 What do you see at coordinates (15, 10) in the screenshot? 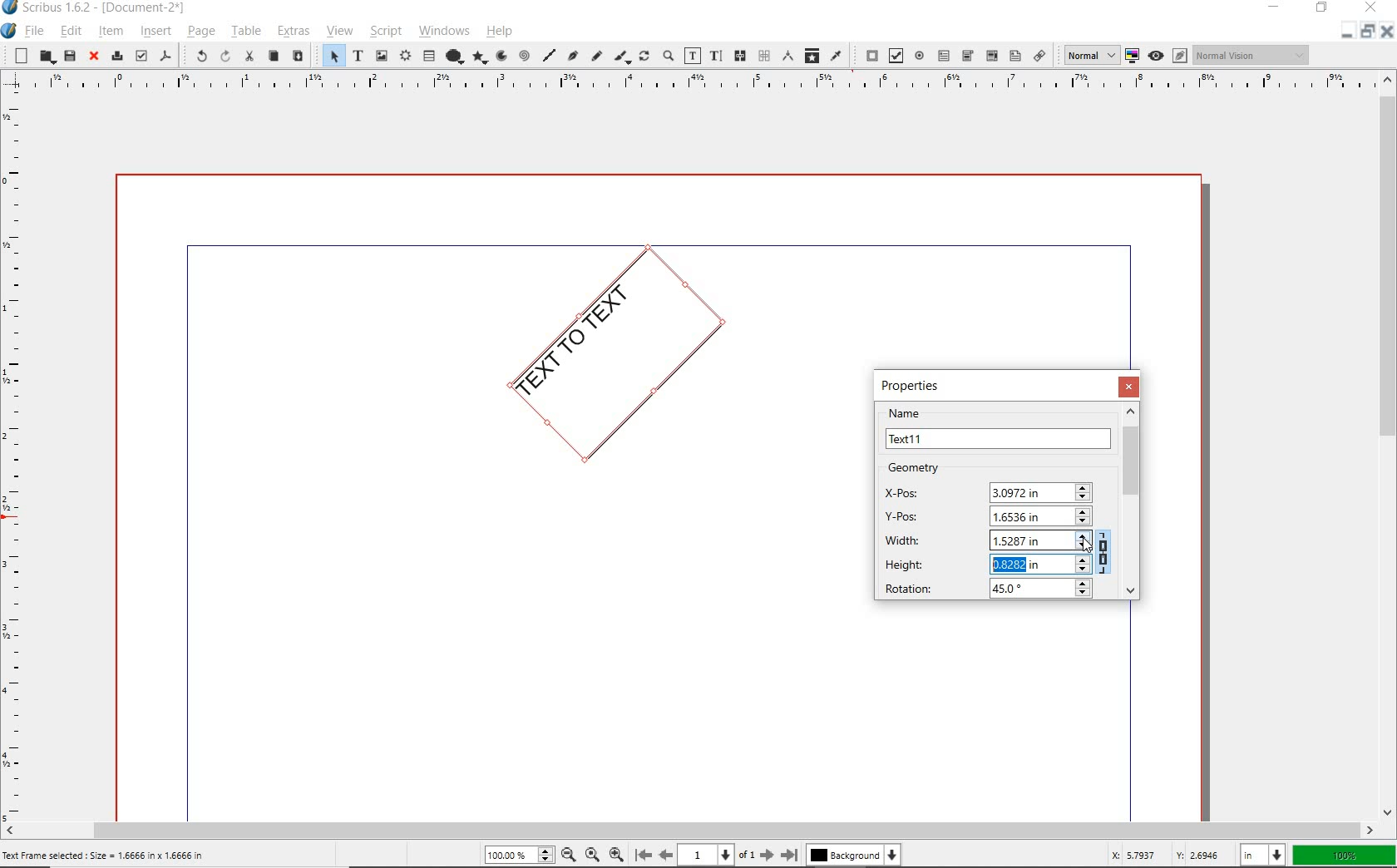
I see `icon` at bounding box center [15, 10].